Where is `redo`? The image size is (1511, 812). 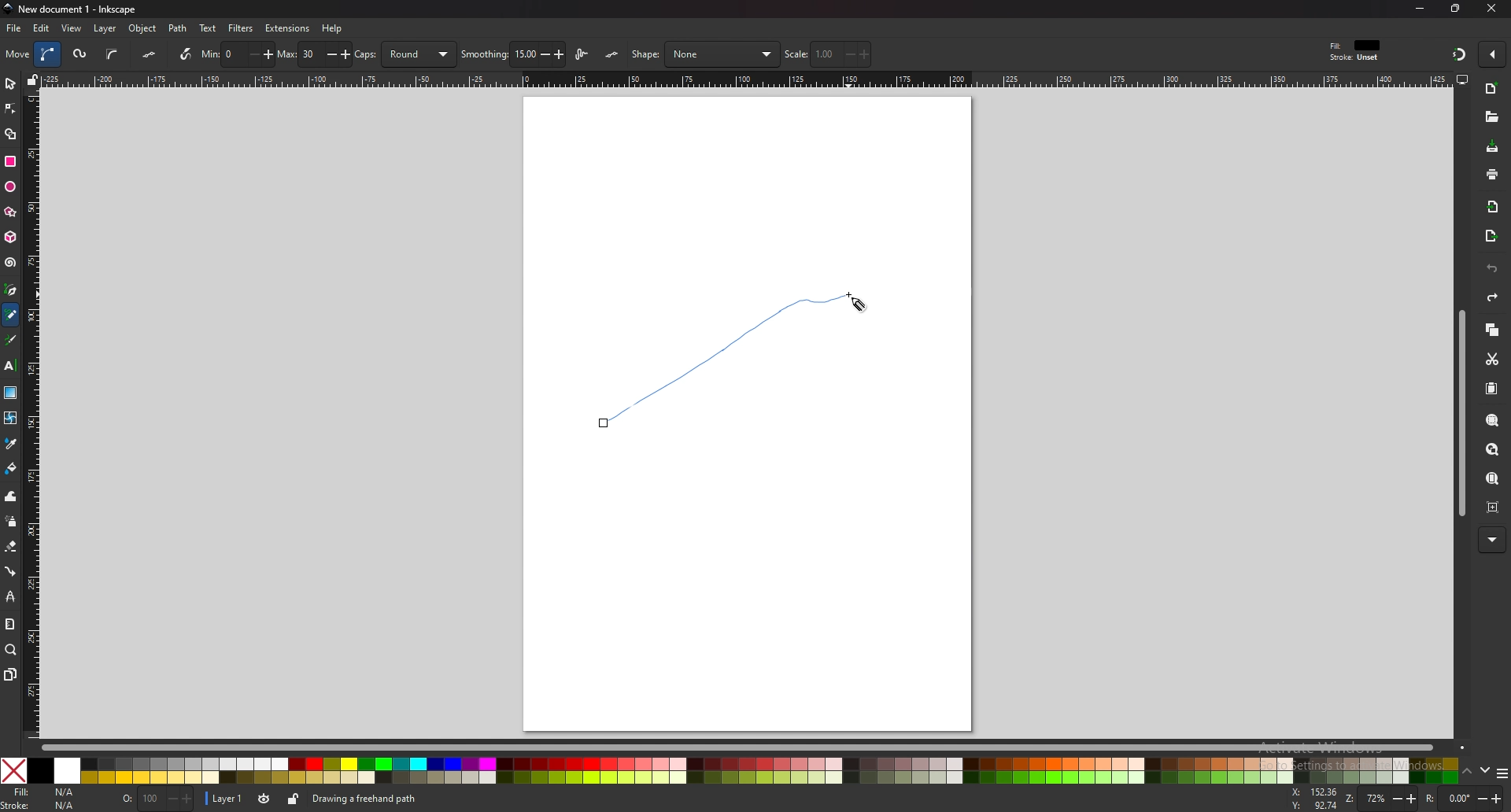
redo is located at coordinates (1492, 298).